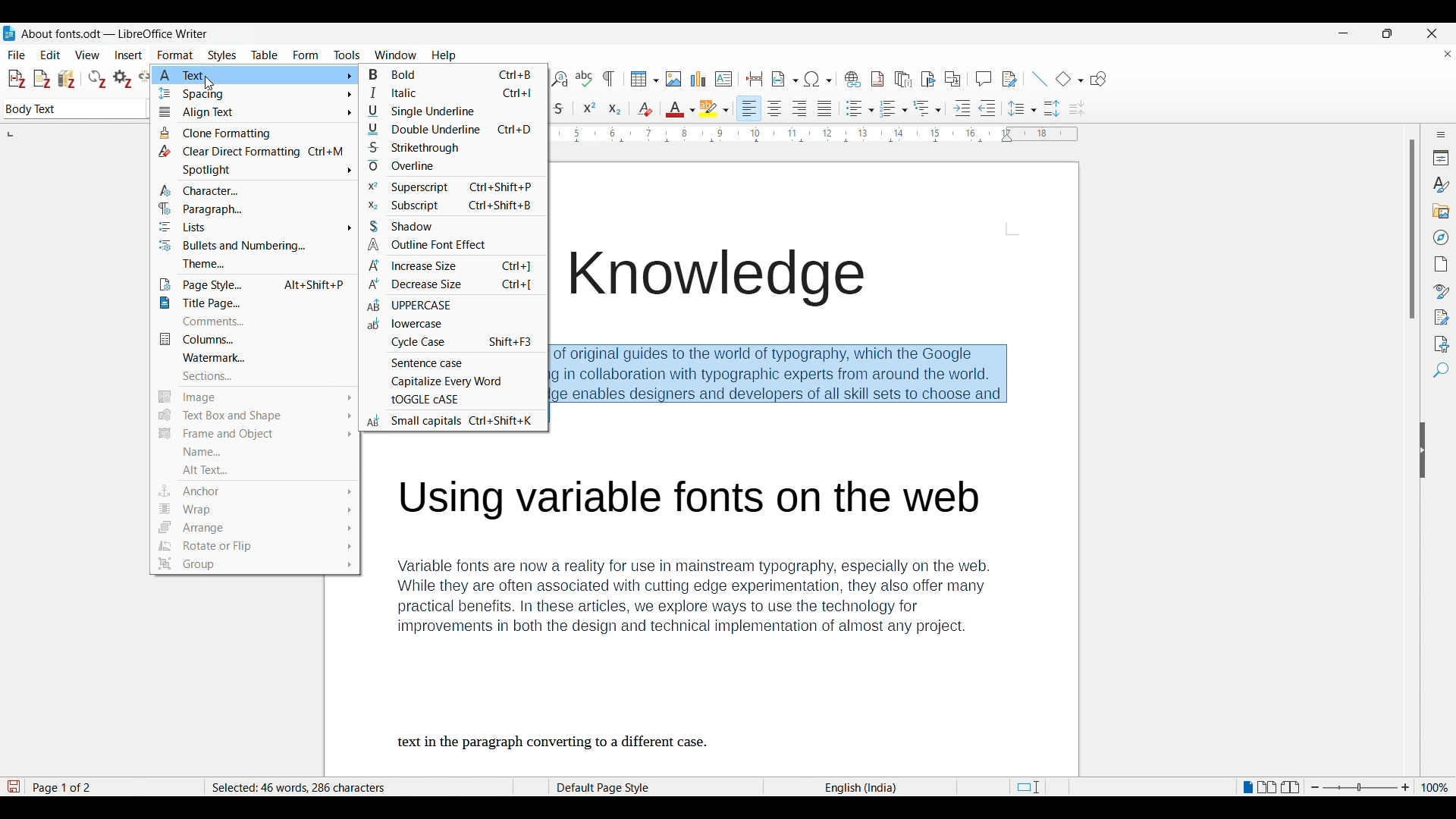 This screenshot has width=1456, height=819. What do you see at coordinates (64, 787) in the screenshot?
I see `Current page out of total pages` at bounding box center [64, 787].